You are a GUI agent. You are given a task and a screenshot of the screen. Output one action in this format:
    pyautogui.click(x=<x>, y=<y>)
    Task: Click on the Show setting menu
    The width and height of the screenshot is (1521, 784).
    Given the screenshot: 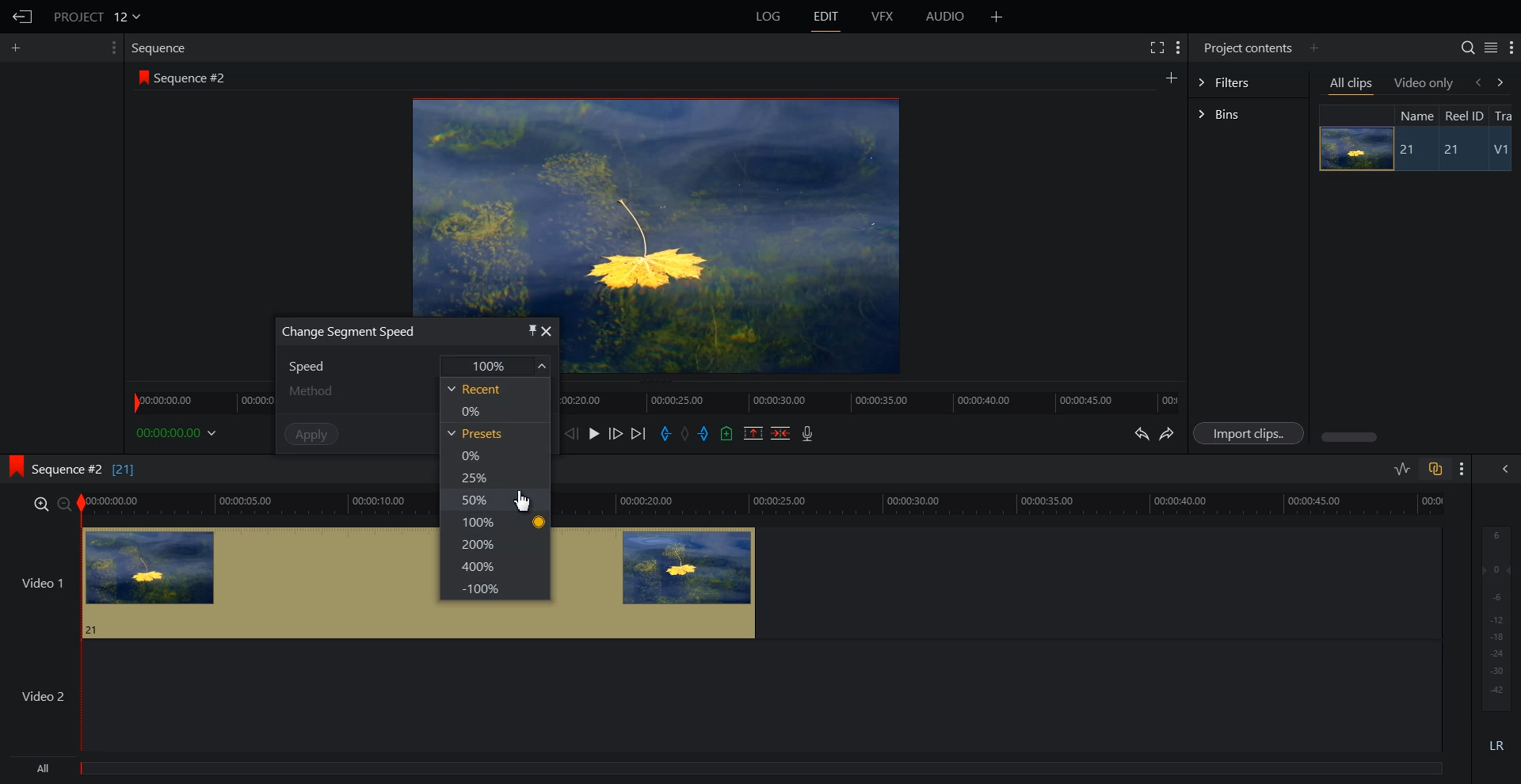 What is the action you would take?
    pyautogui.click(x=1178, y=48)
    